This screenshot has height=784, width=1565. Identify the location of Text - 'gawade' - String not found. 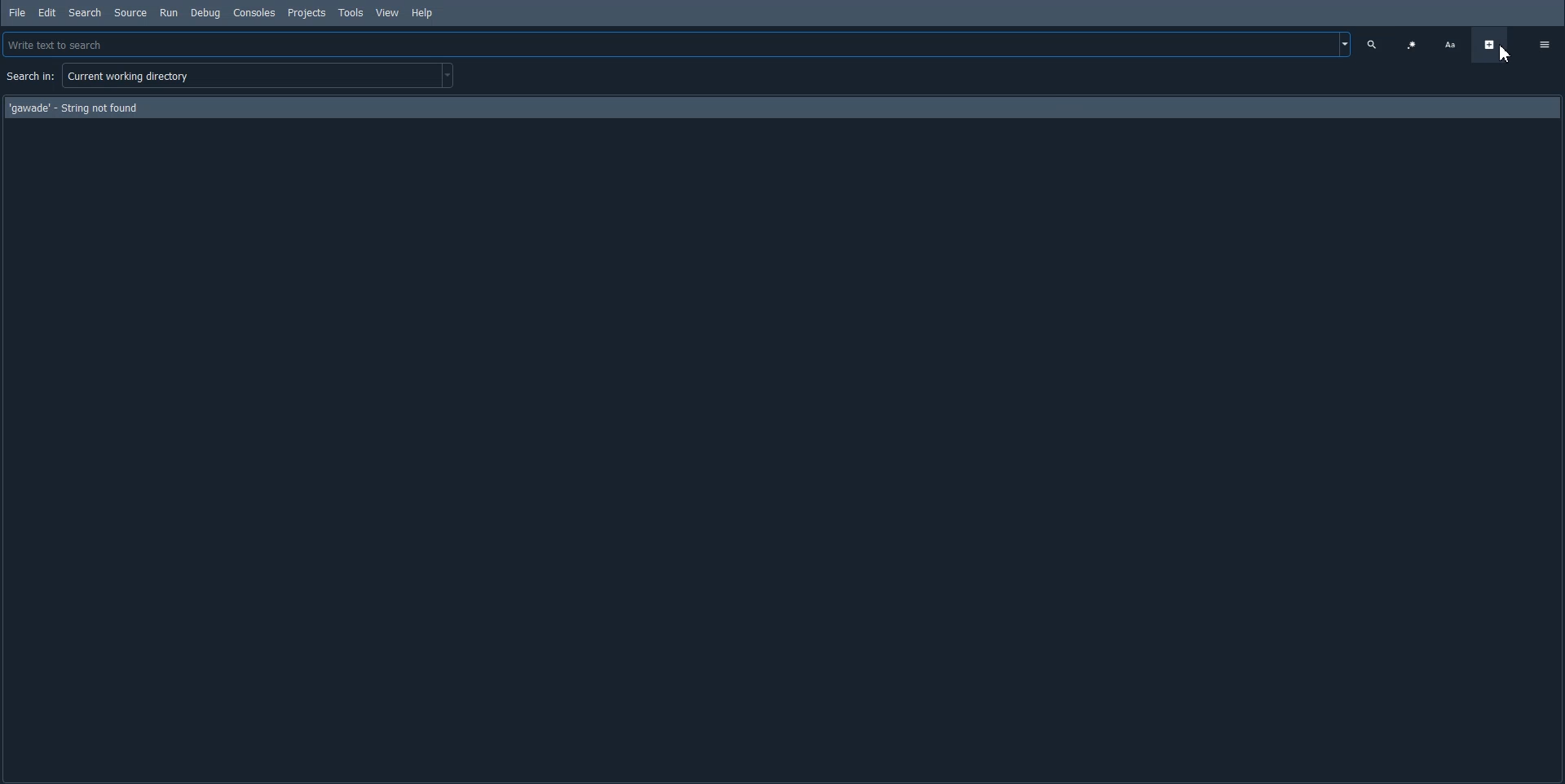
(73, 107).